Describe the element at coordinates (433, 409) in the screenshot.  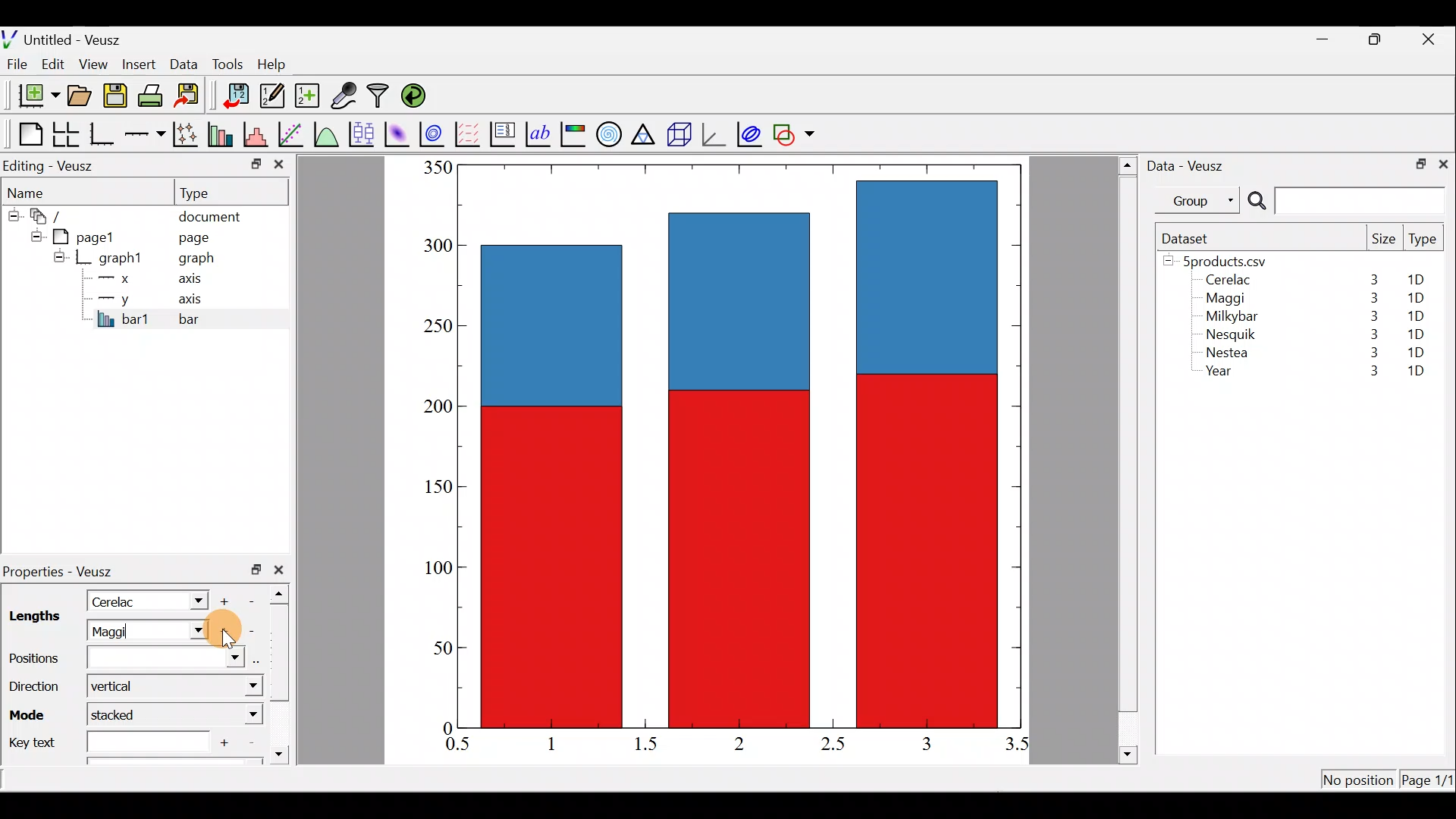
I see `200` at that location.